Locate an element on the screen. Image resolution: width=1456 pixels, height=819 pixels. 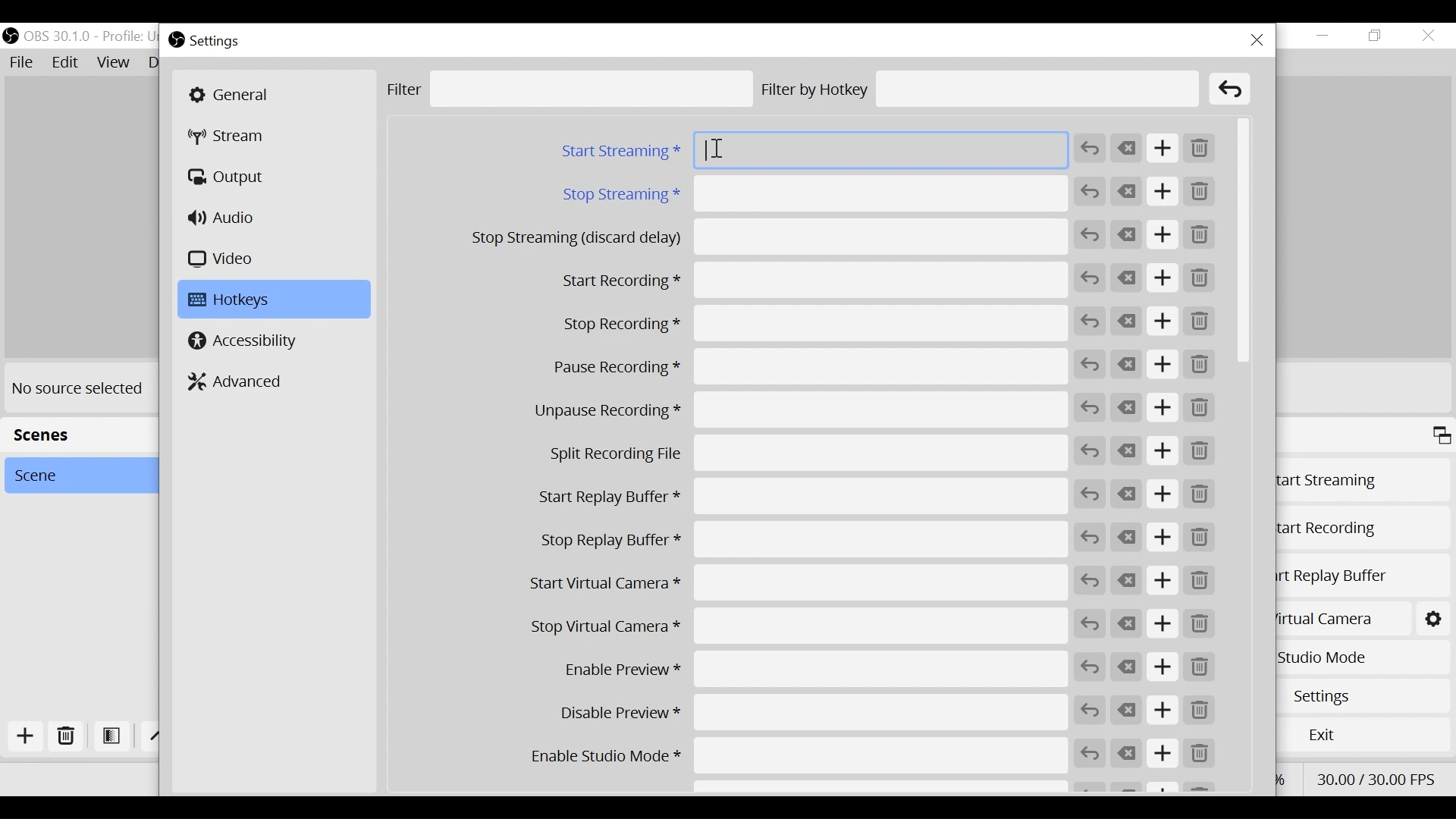
Remove is located at coordinates (1200, 406).